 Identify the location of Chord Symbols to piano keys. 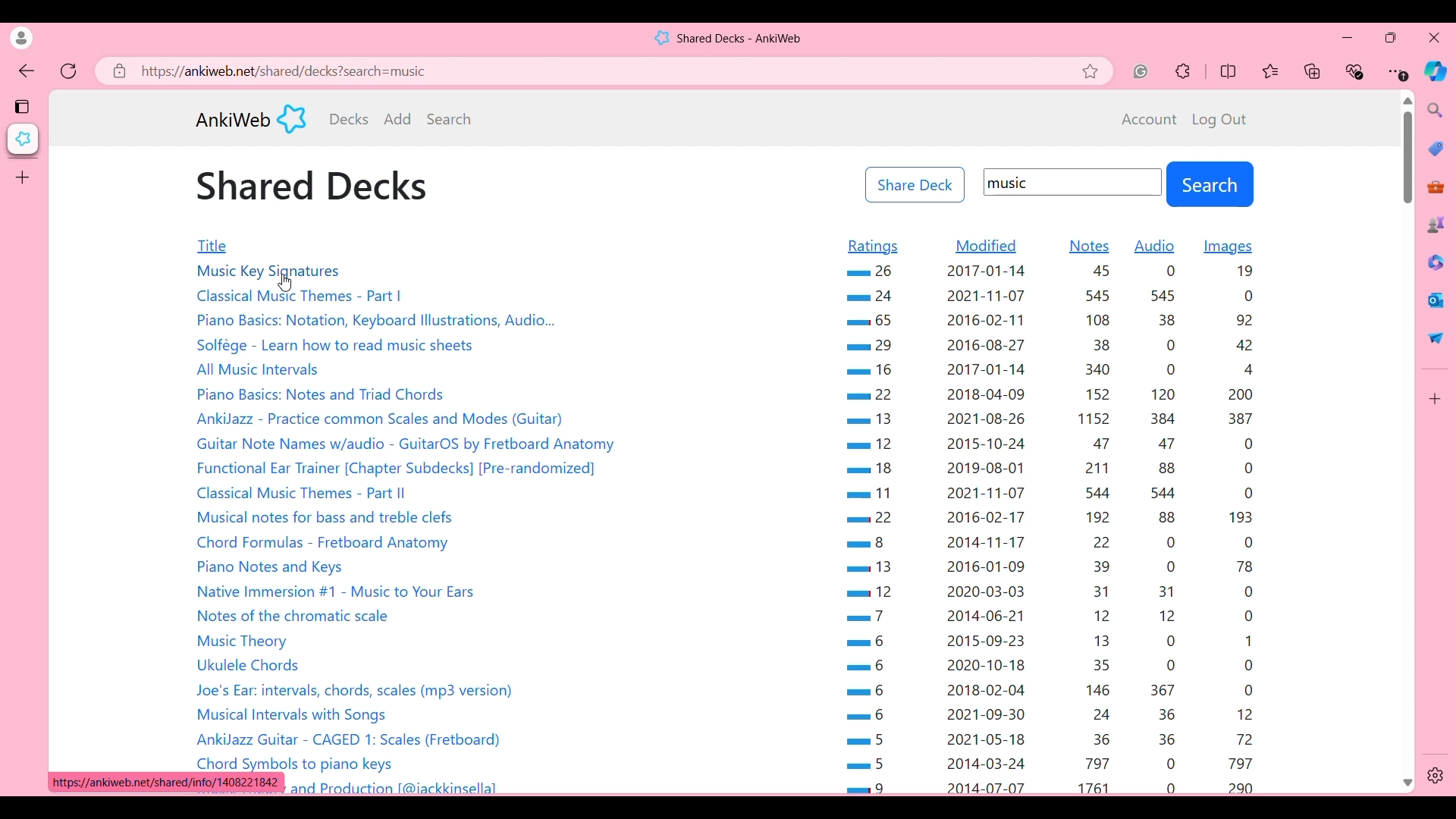
(299, 763).